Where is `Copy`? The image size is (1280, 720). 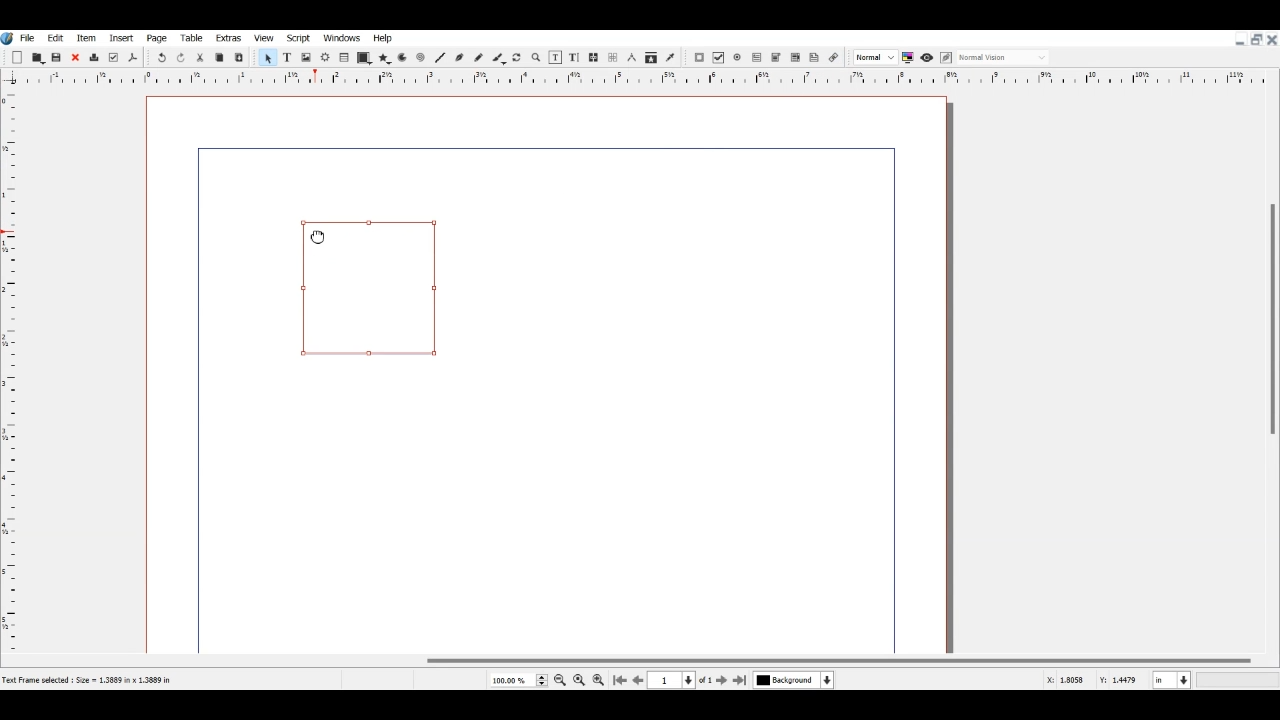 Copy is located at coordinates (218, 57).